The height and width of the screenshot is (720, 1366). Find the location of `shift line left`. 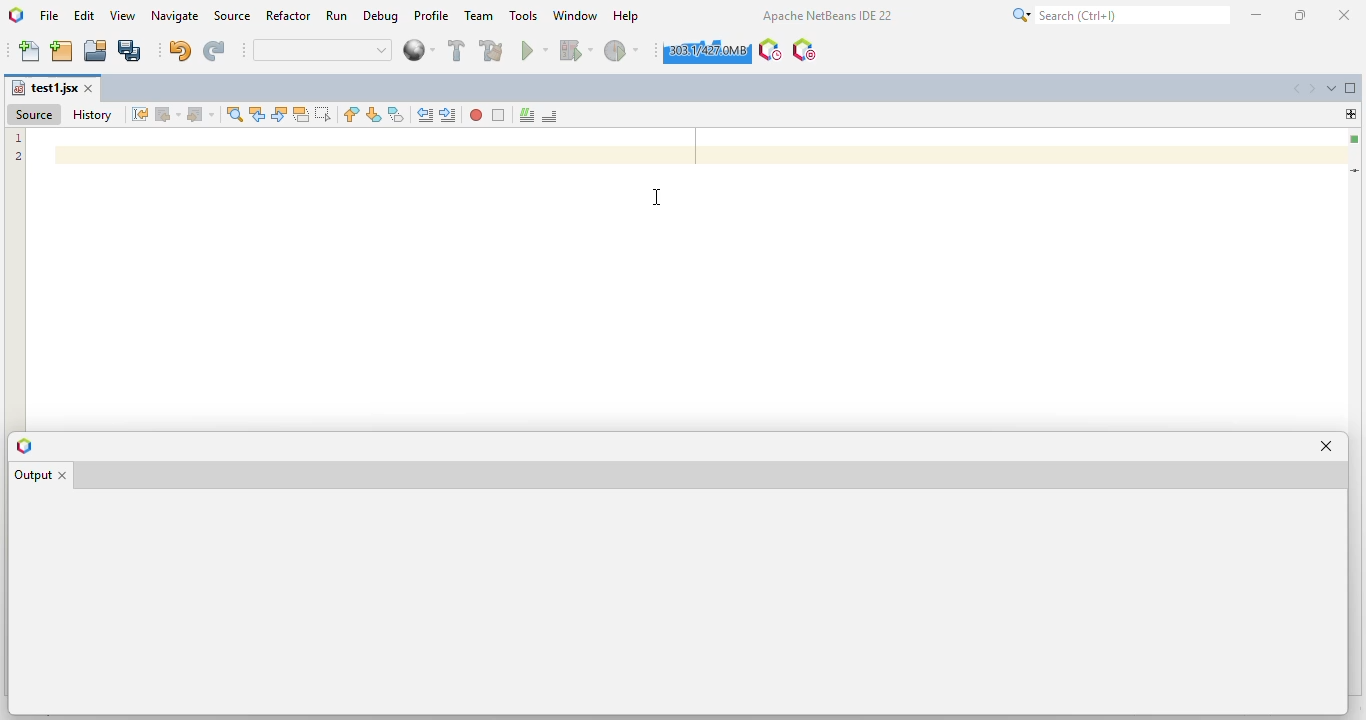

shift line left is located at coordinates (426, 114).